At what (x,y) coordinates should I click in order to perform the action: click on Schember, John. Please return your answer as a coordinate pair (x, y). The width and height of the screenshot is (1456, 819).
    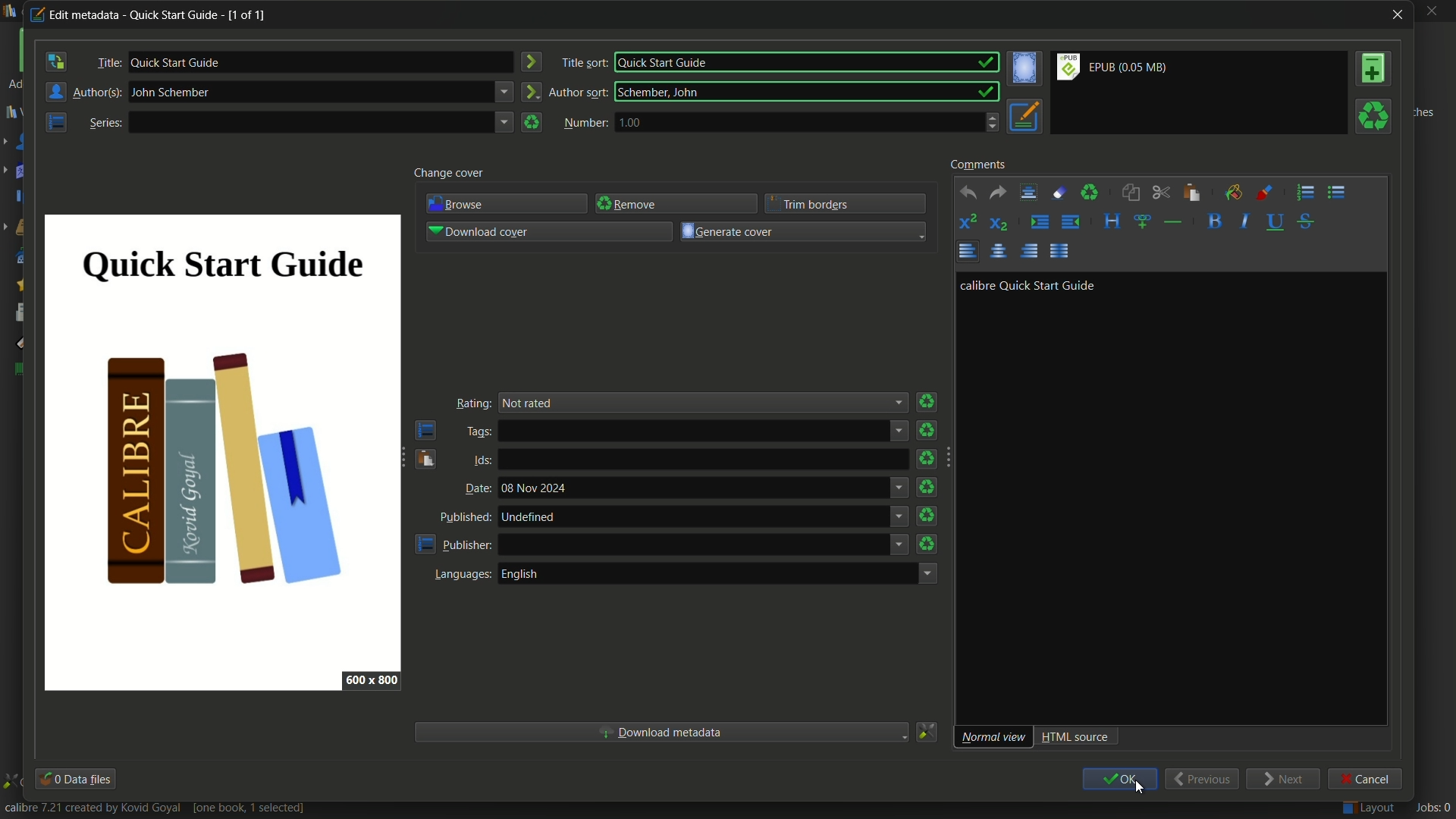
    Looking at the image, I should click on (806, 93).